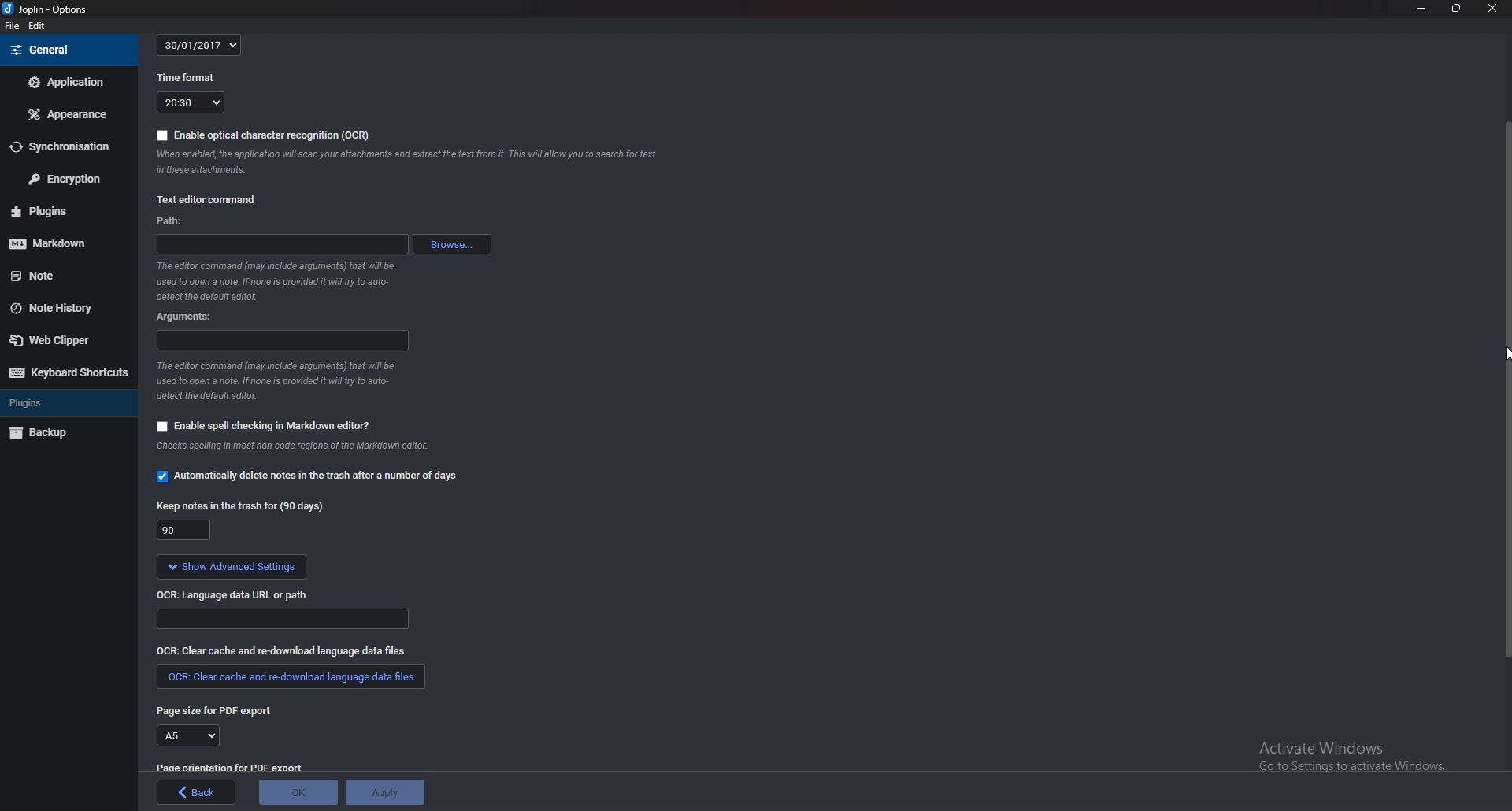 The image size is (1512, 811). Describe the element at coordinates (299, 791) in the screenshot. I see `ok` at that location.